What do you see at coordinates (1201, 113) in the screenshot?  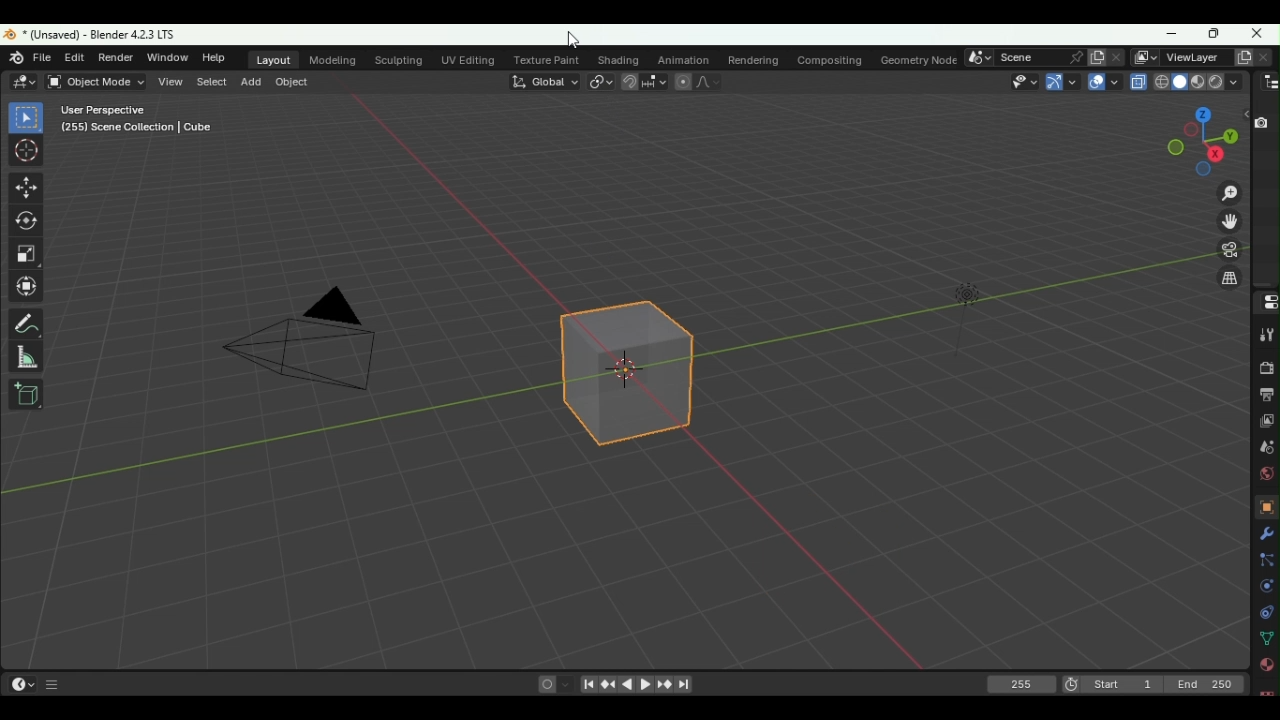 I see `Rotate the view` at bounding box center [1201, 113].